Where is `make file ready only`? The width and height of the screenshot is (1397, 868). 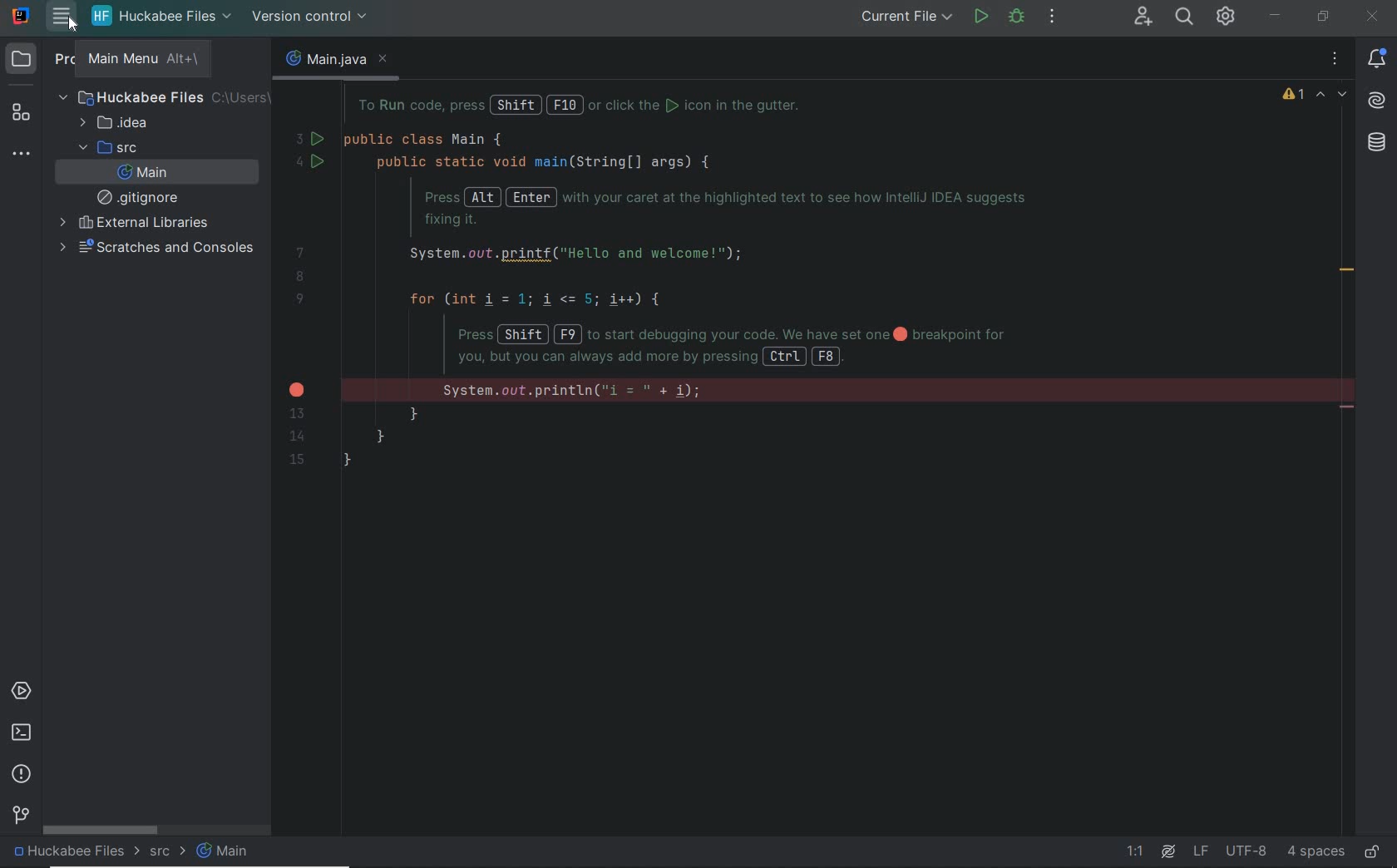 make file ready only is located at coordinates (1370, 851).